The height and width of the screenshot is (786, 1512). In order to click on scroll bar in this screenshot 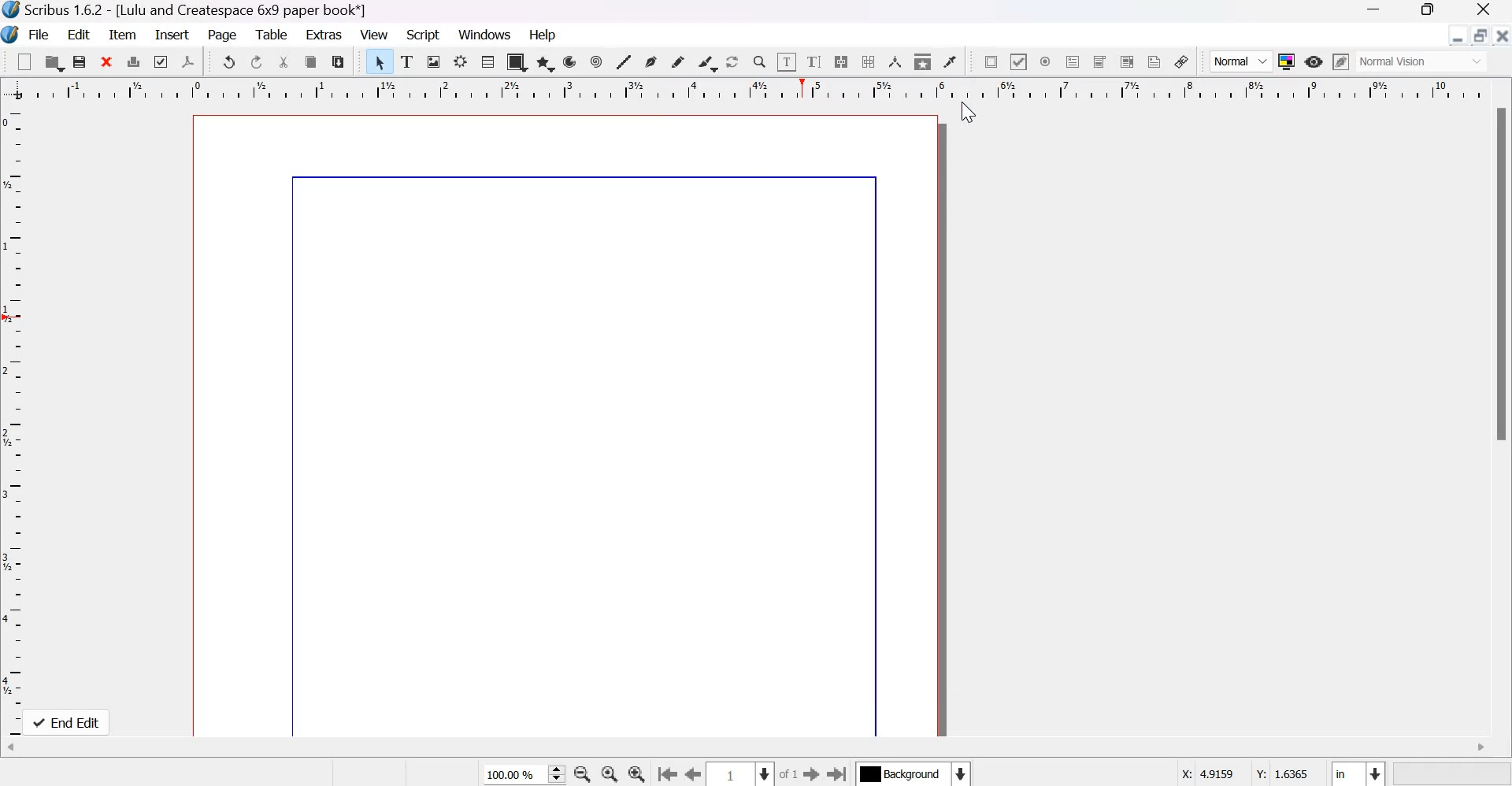, I will do `click(1503, 276)`.